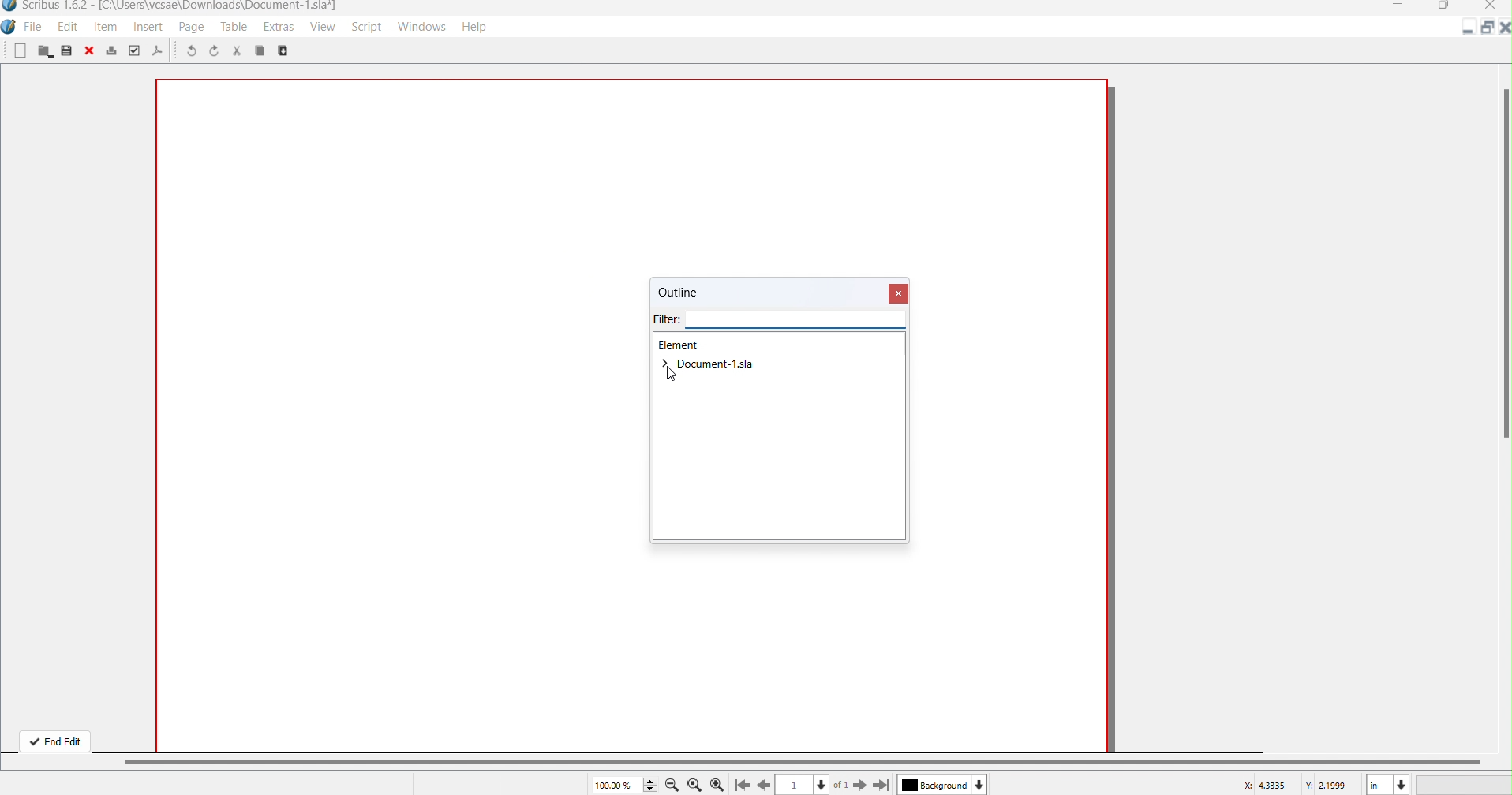  Describe the element at coordinates (1503, 28) in the screenshot. I see `Close` at that location.